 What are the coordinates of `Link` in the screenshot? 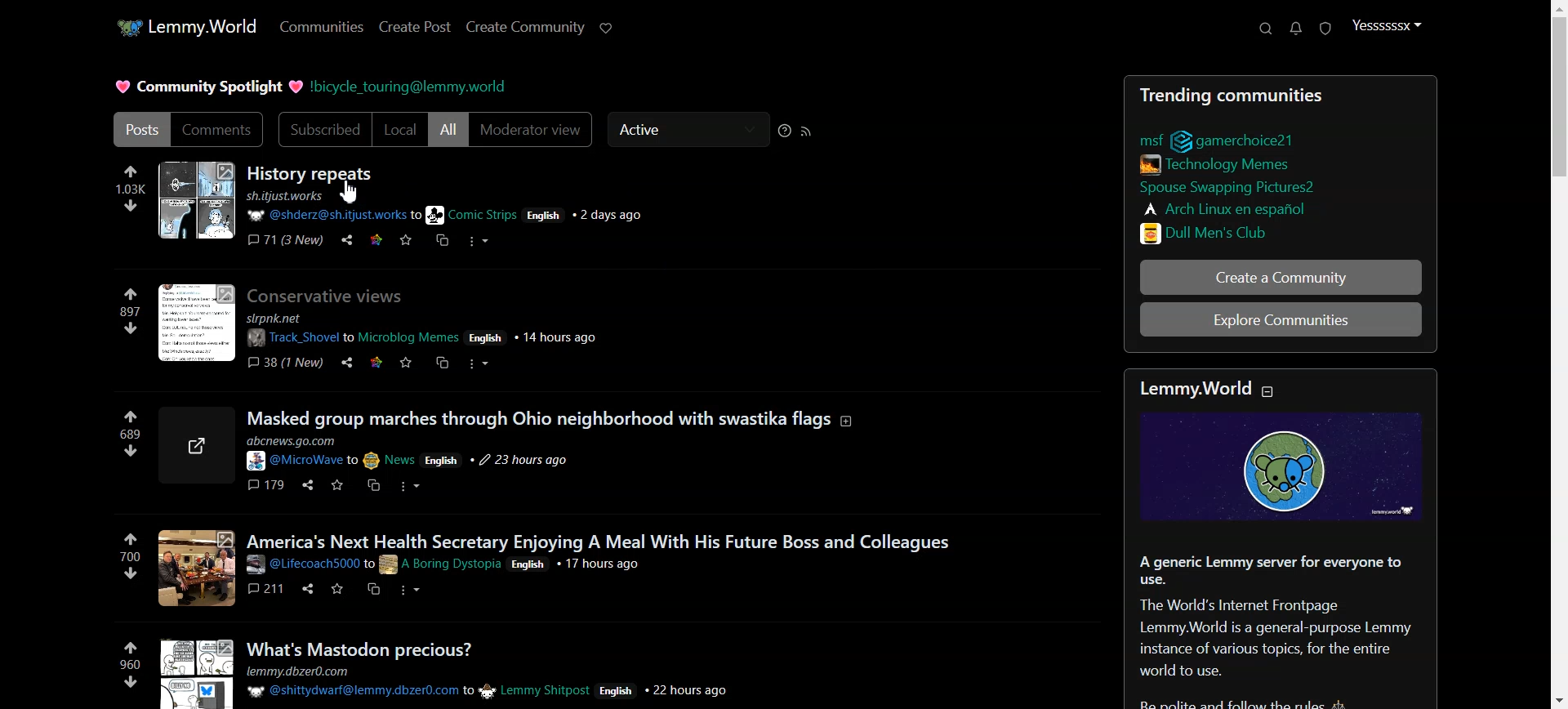 It's located at (376, 240).